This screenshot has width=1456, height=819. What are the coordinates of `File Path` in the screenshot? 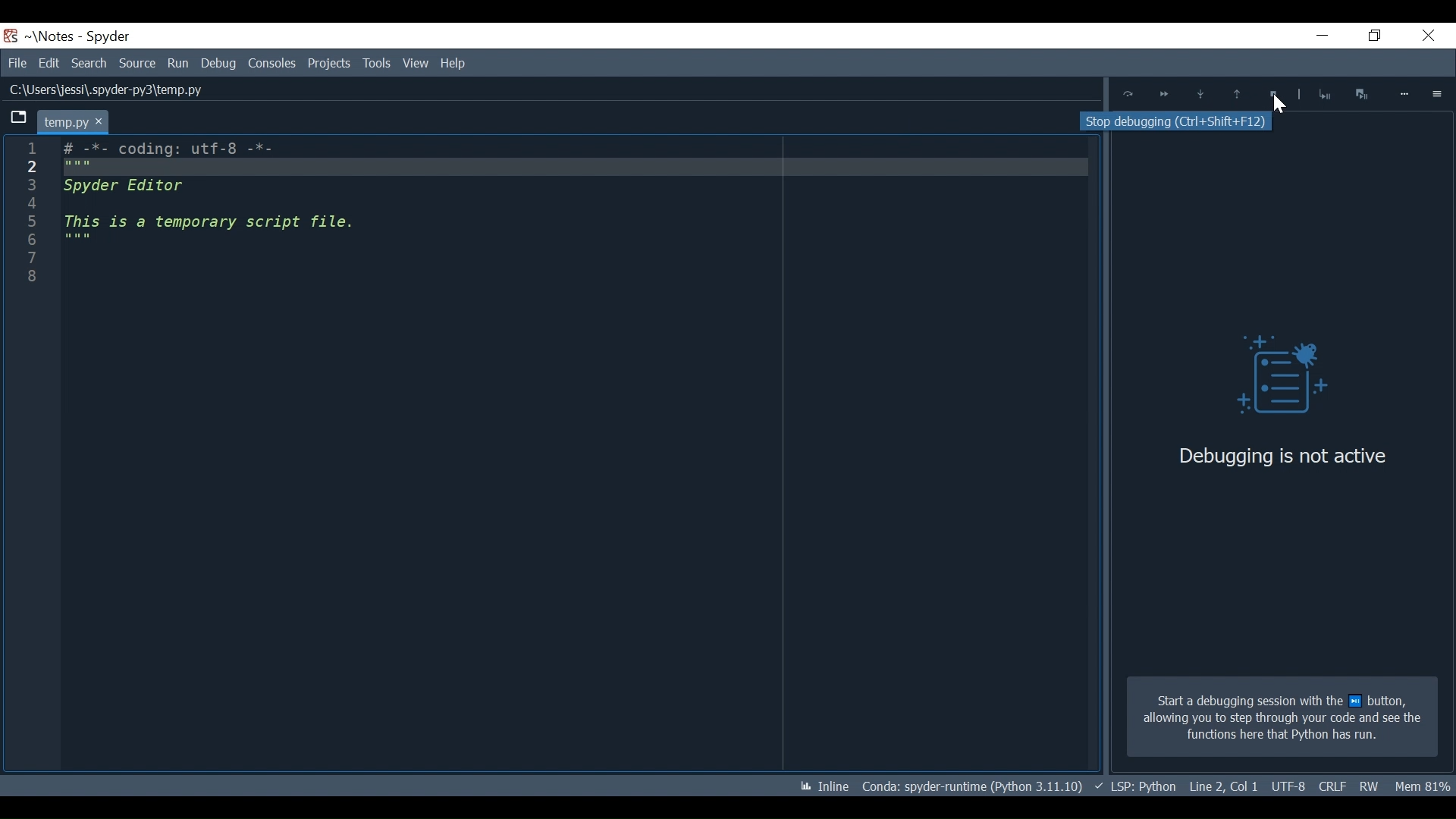 It's located at (103, 90).